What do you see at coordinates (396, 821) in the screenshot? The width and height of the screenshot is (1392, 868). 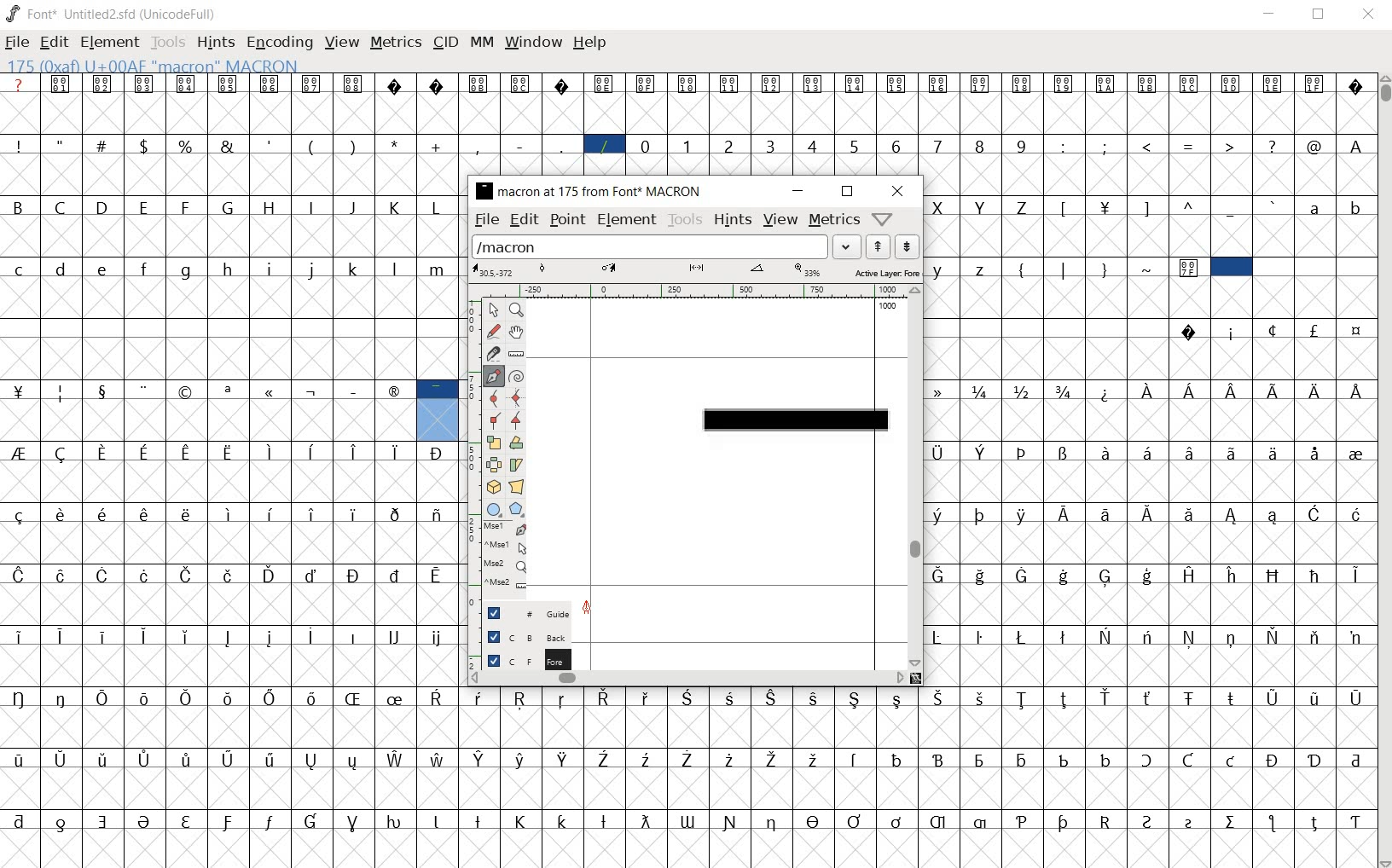 I see `Symbol` at bounding box center [396, 821].